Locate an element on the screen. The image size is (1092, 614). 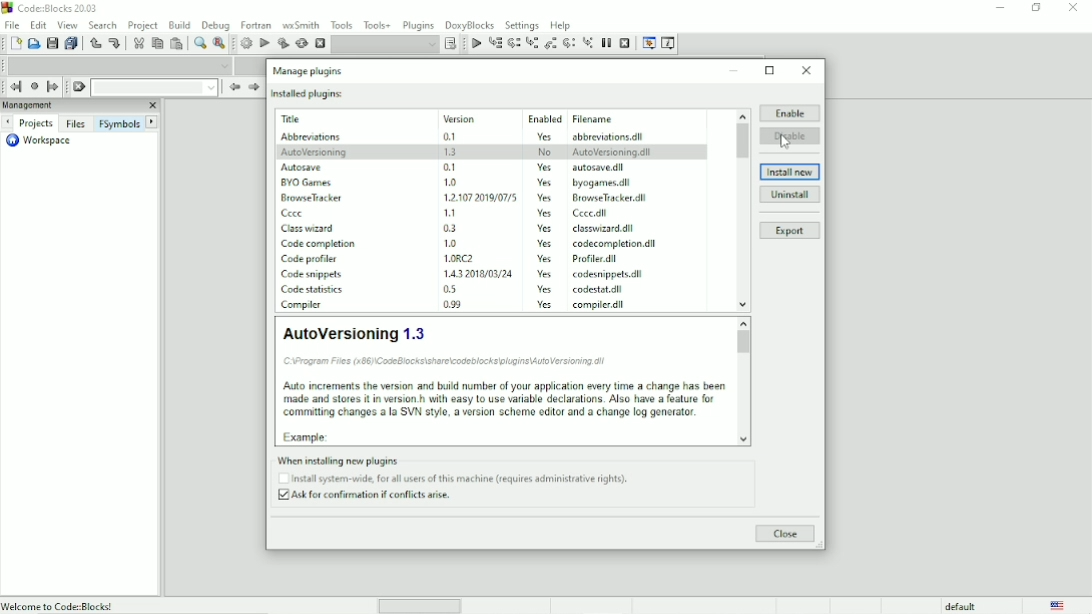
Minimize is located at coordinates (735, 70).